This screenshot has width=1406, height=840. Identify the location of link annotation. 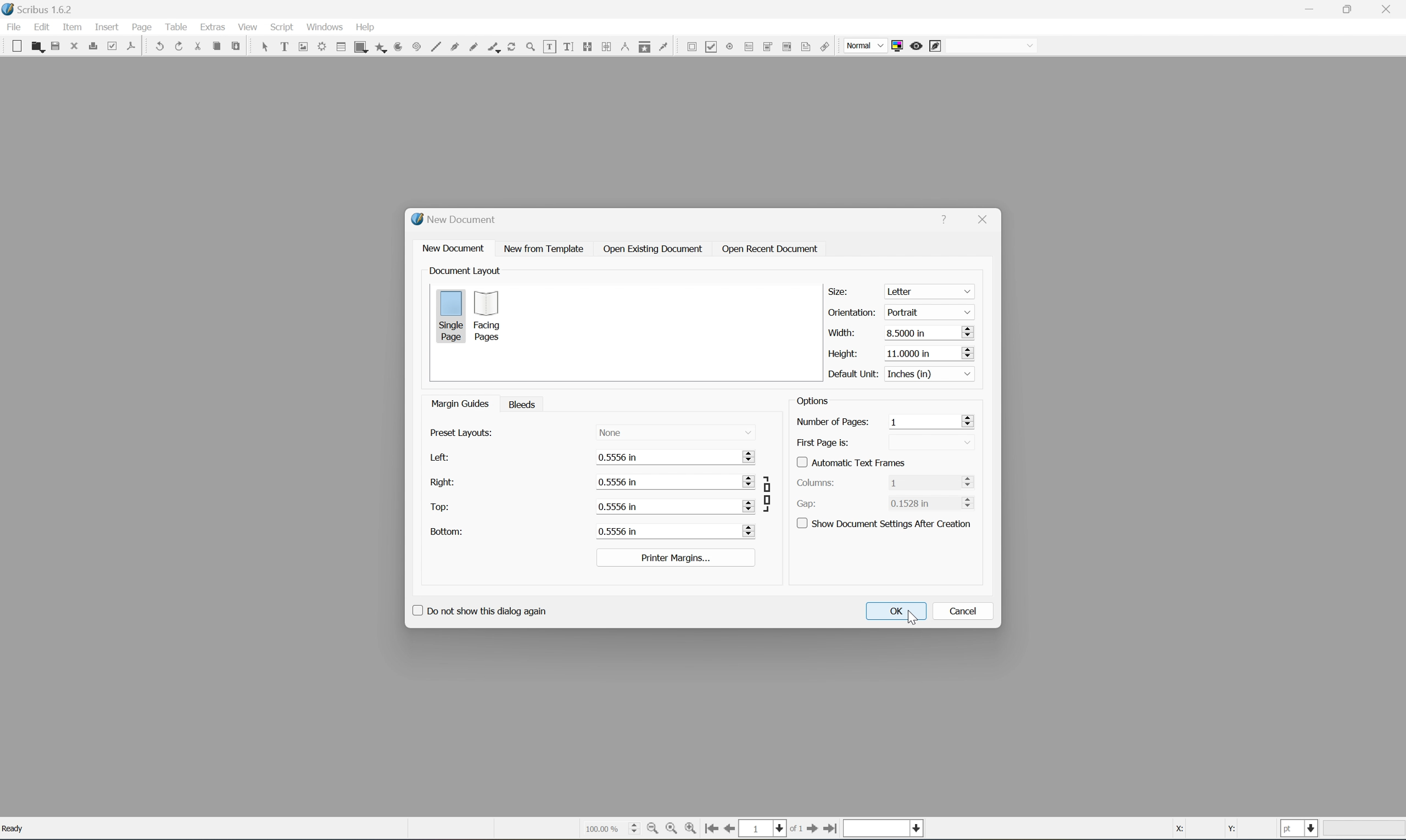
(824, 46).